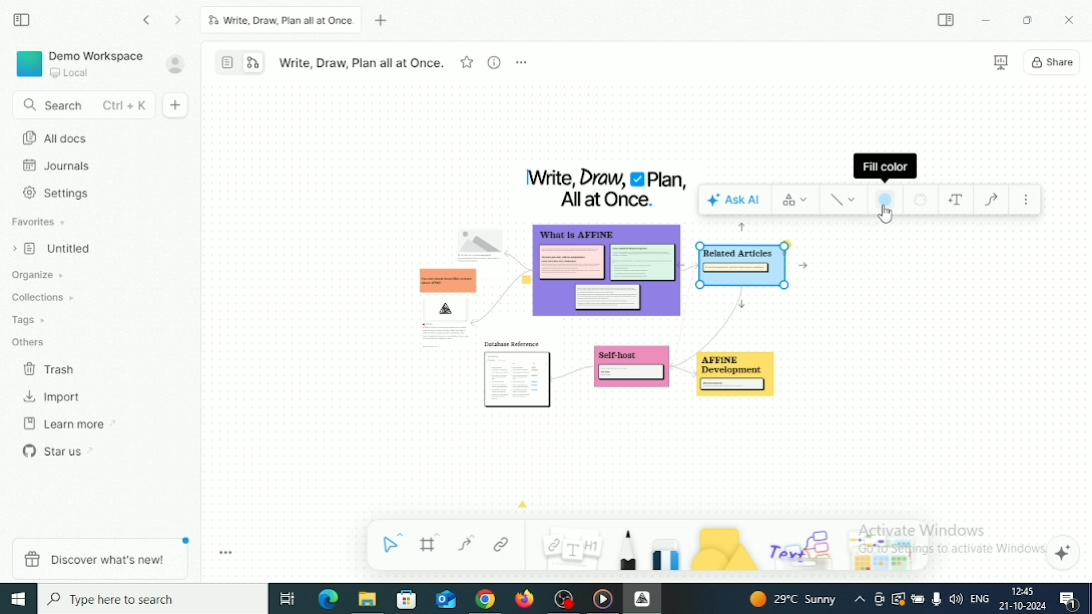  I want to click on Frame, so click(431, 543).